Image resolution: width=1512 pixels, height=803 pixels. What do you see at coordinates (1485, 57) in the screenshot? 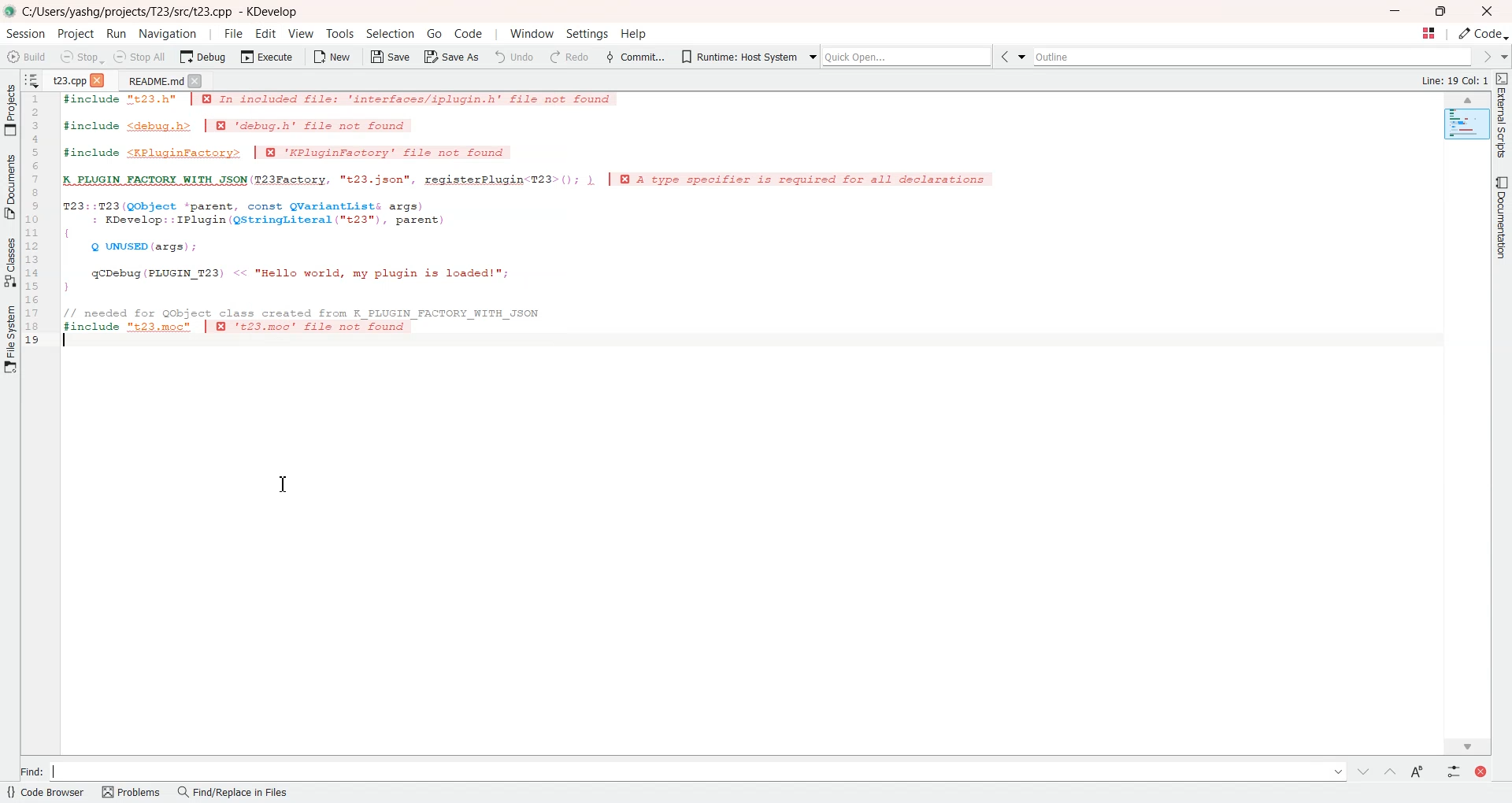
I see `Go forward` at bounding box center [1485, 57].